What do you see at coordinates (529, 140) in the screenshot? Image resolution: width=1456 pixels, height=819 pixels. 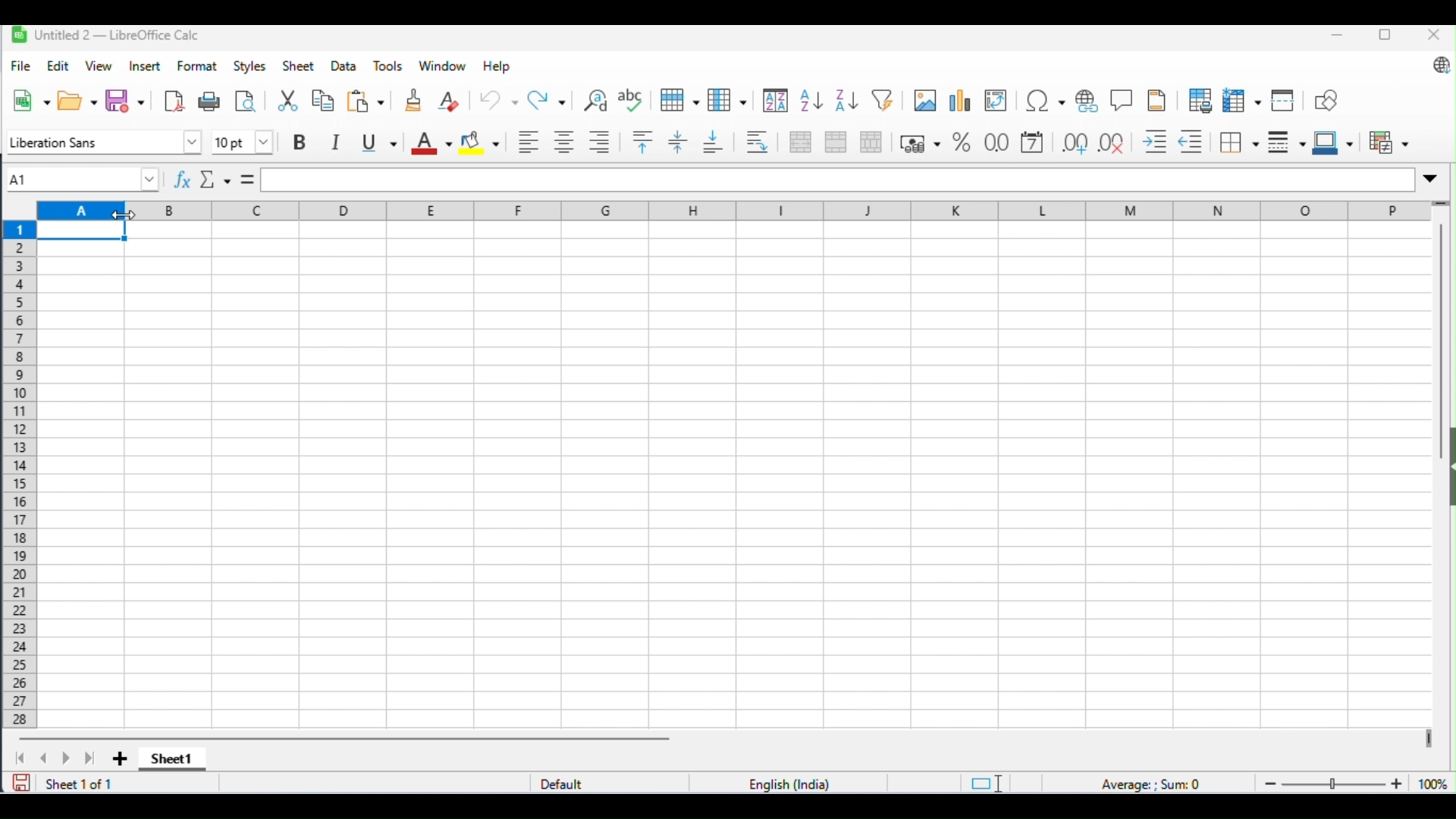 I see `align left` at bounding box center [529, 140].